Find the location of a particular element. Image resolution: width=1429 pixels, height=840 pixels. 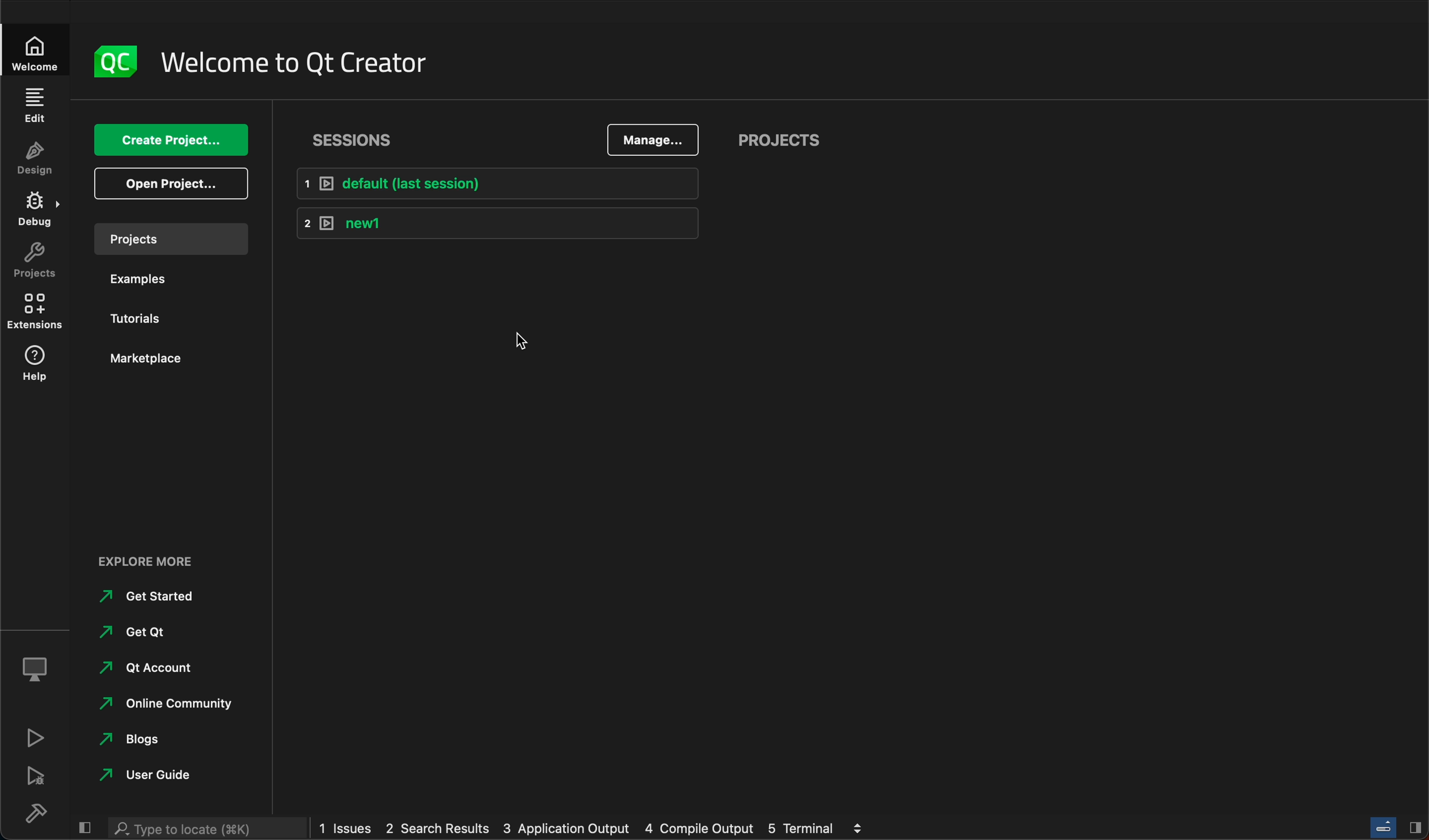

seArch is located at coordinates (204, 828).